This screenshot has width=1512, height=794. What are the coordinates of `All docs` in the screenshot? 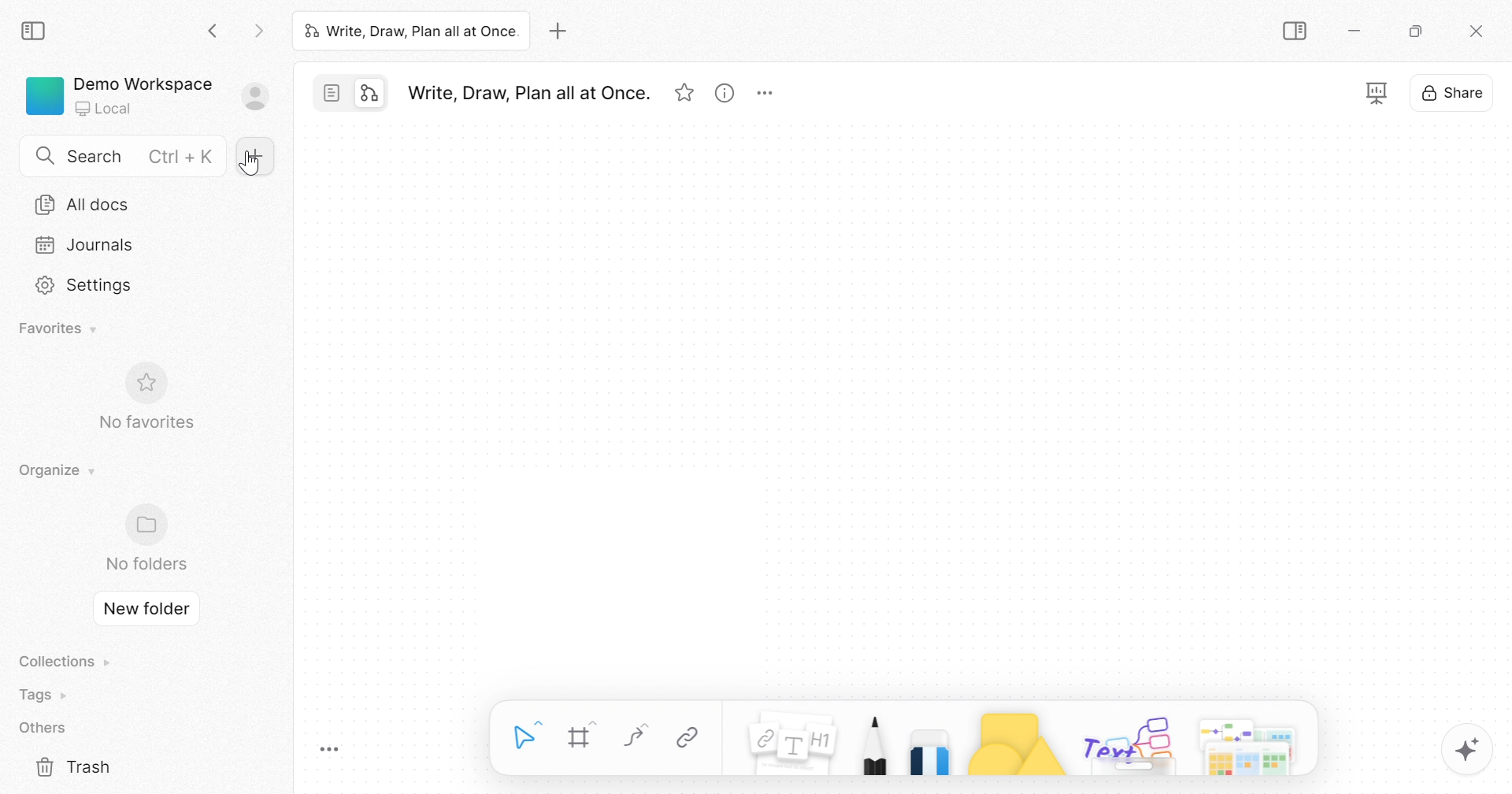 It's located at (83, 205).